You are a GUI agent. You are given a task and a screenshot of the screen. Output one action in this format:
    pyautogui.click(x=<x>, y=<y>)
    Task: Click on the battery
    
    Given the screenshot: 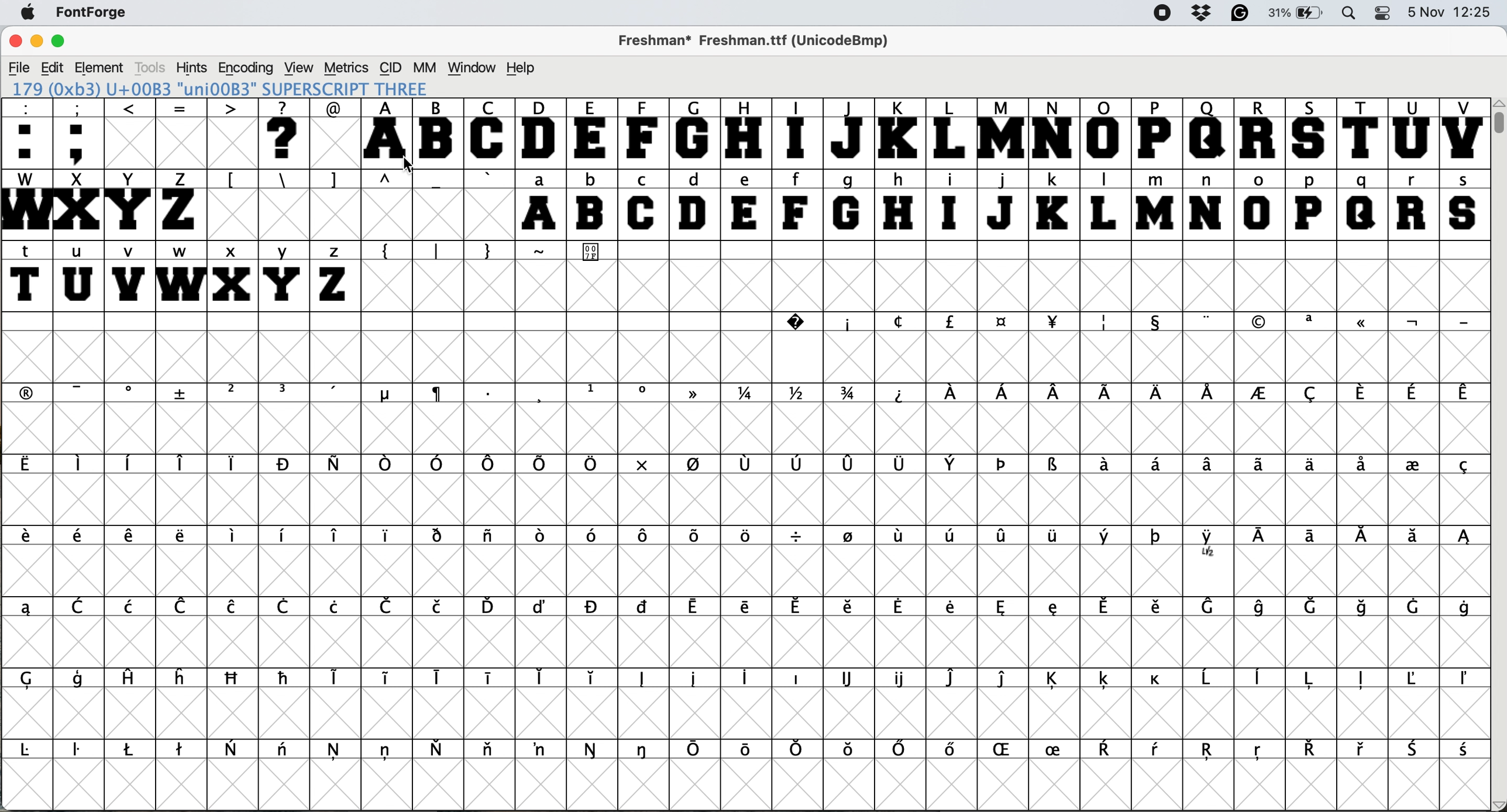 What is the action you would take?
    pyautogui.click(x=1298, y=13)
    